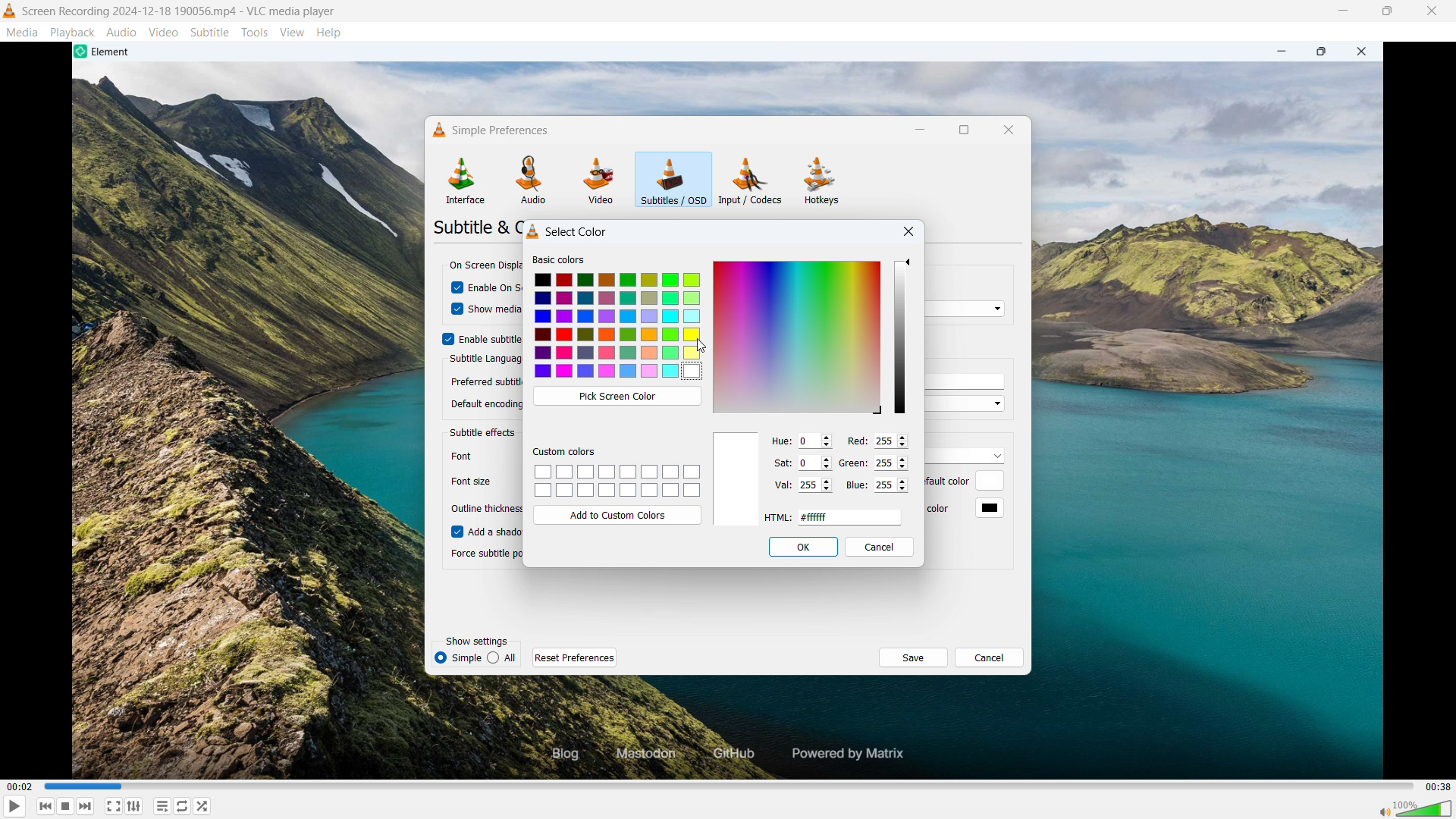 Image resolution: width=1456 pixels, height=819 pixels. Describe the element at coordinates (892, 463) in the screenshot. I see `Set green ` at that location.